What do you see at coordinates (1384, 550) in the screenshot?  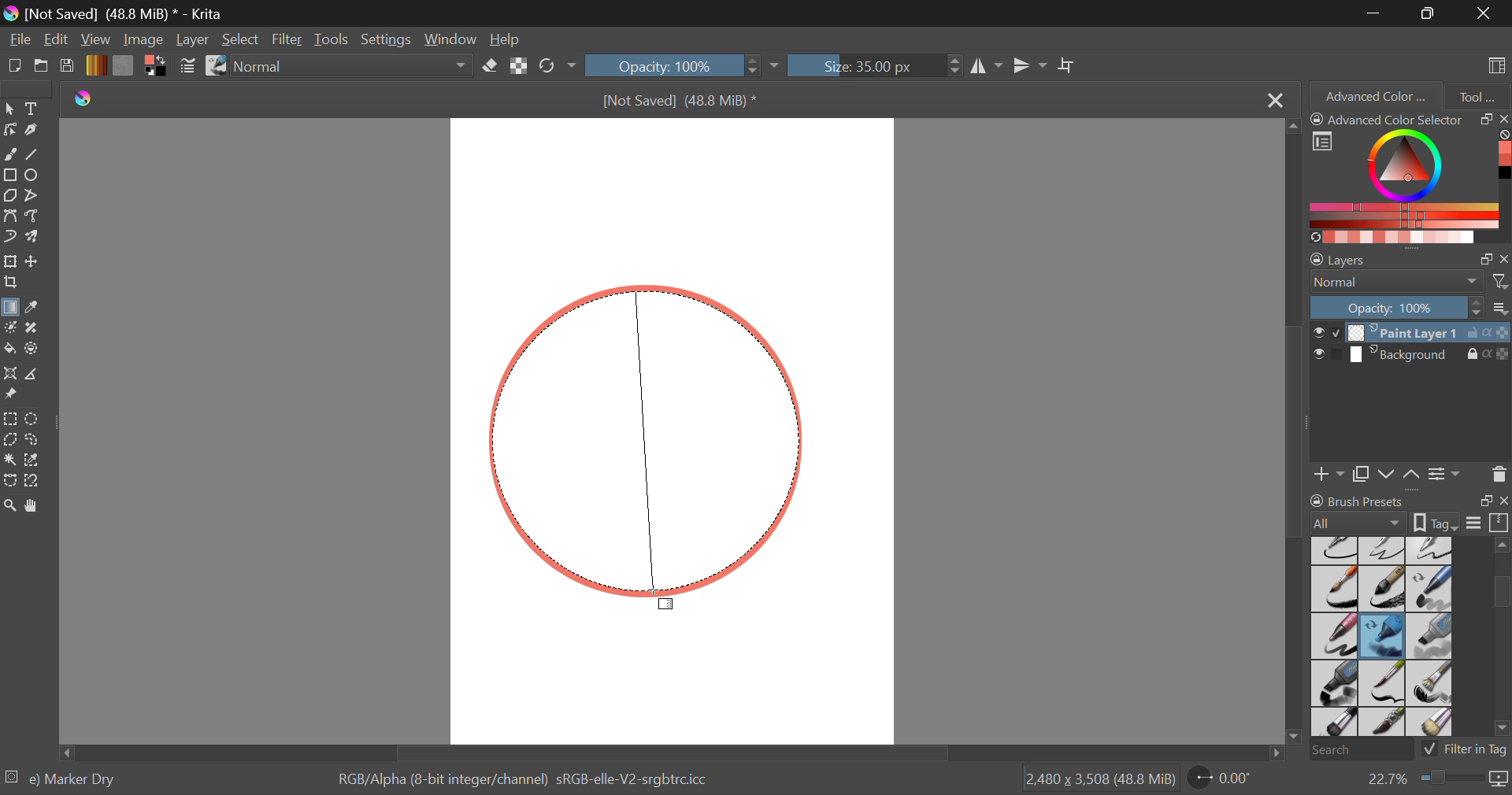 I see `Ink-3 Gpen` at bounding box center [1384, 550].